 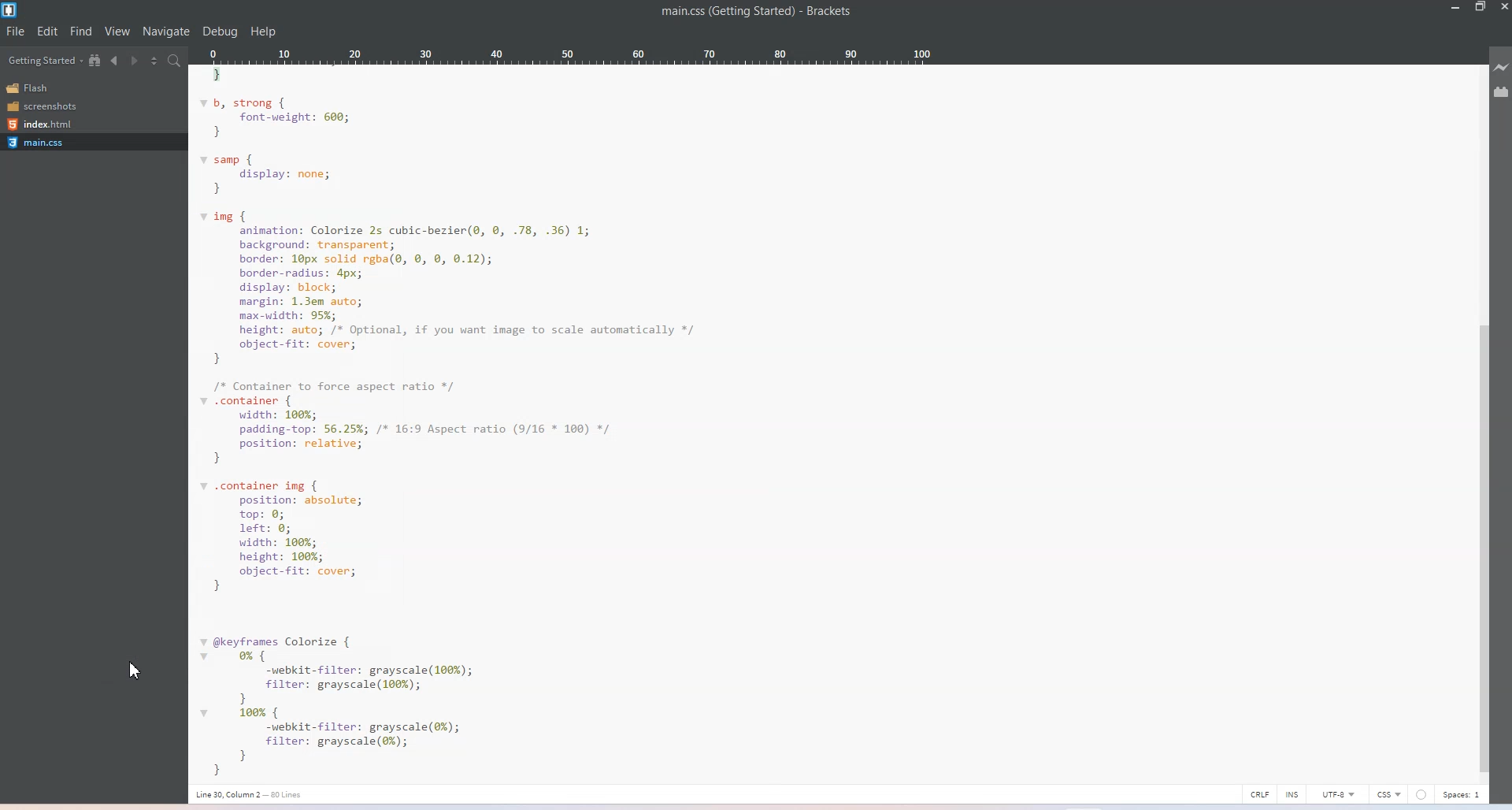 What do you see at coordinates (137, 674) in the screenshot?
I see `Cursor` at bounding box center [137, 674].